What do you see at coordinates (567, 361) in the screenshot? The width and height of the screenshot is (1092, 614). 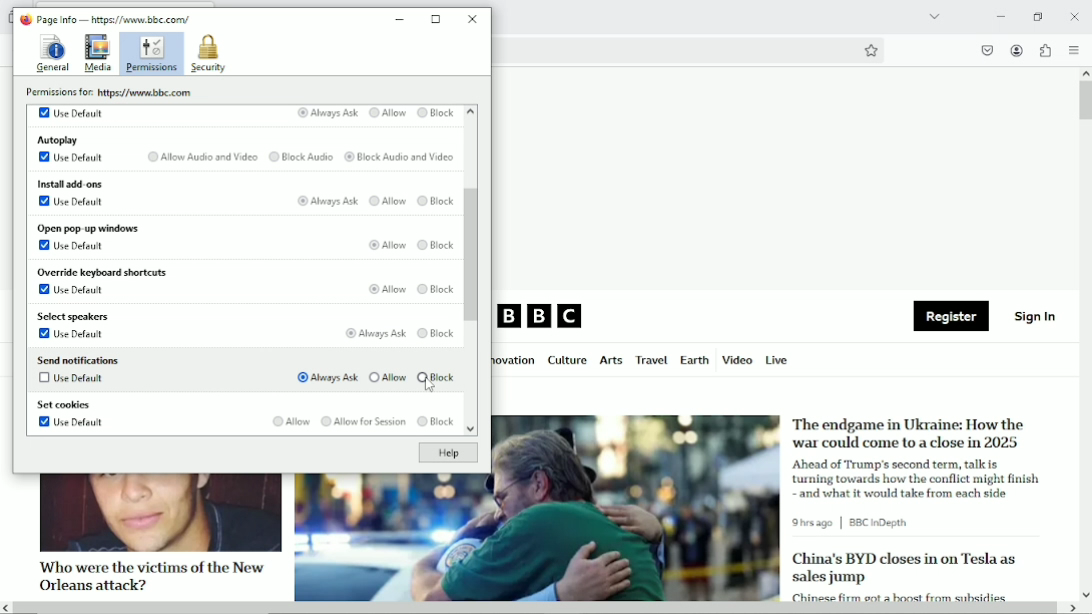 I see `Culture` at bounding box center [567, 361].